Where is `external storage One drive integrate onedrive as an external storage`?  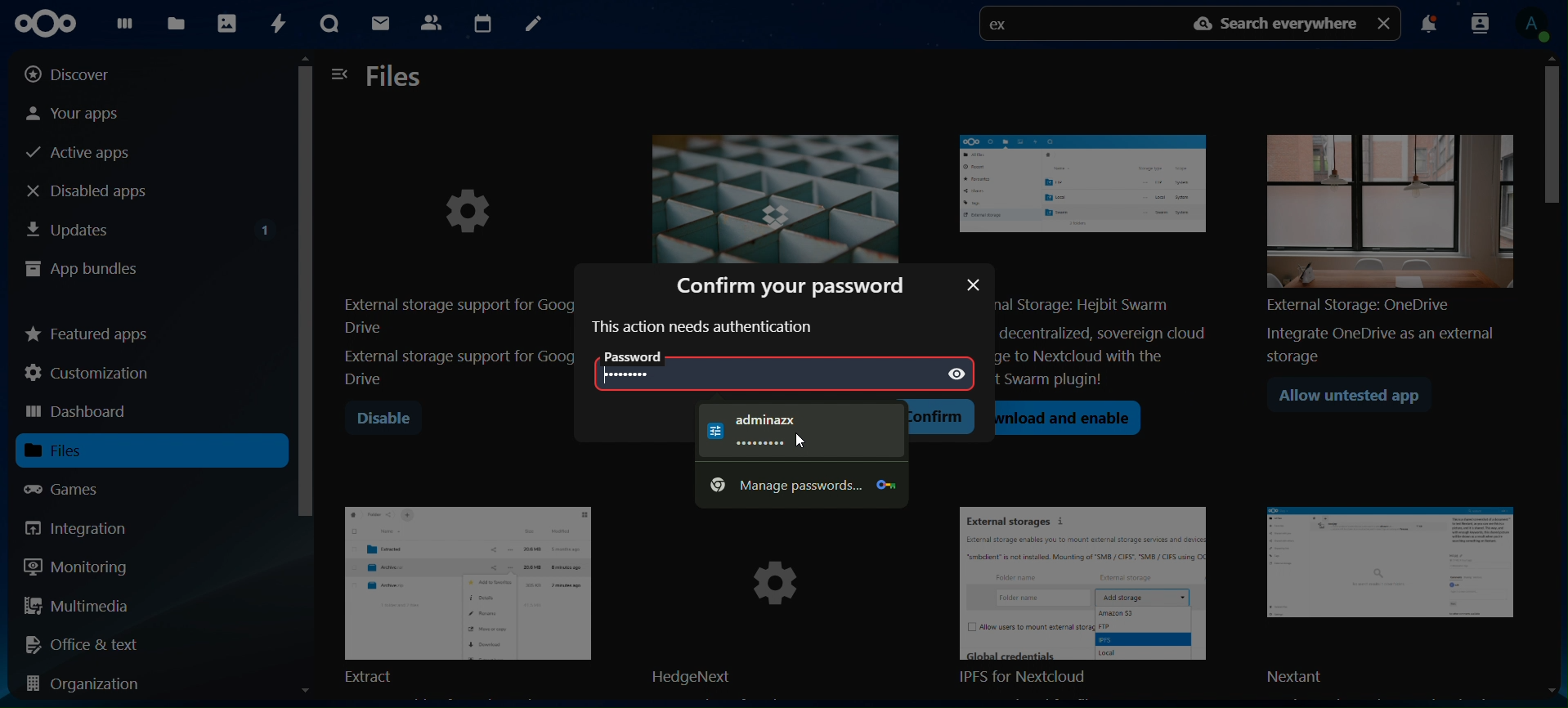
external storage One drive integrate onedrive as an external storage is located at coordinates (1384, 242).